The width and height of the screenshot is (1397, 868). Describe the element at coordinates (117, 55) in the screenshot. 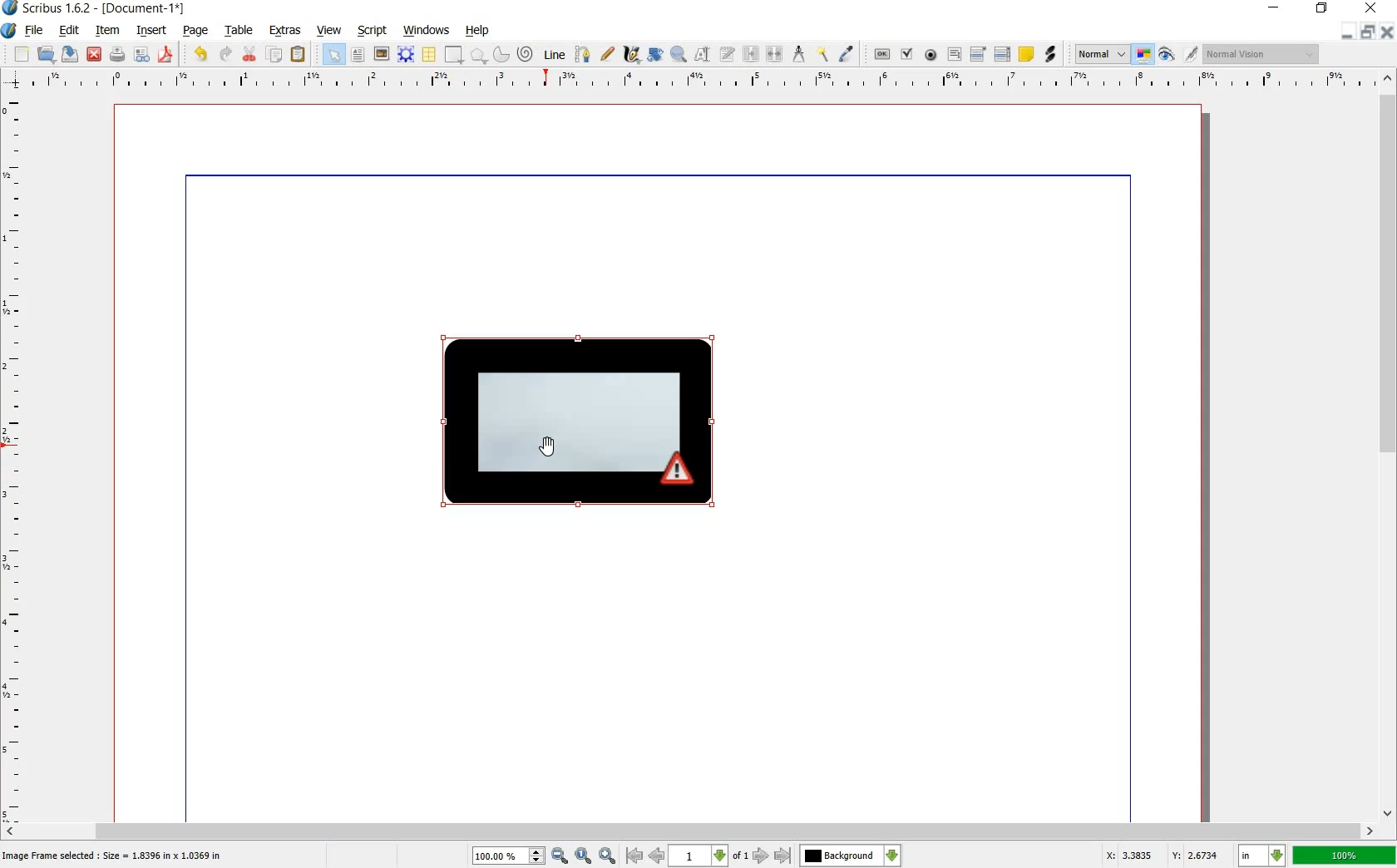

I see `print` at that location.